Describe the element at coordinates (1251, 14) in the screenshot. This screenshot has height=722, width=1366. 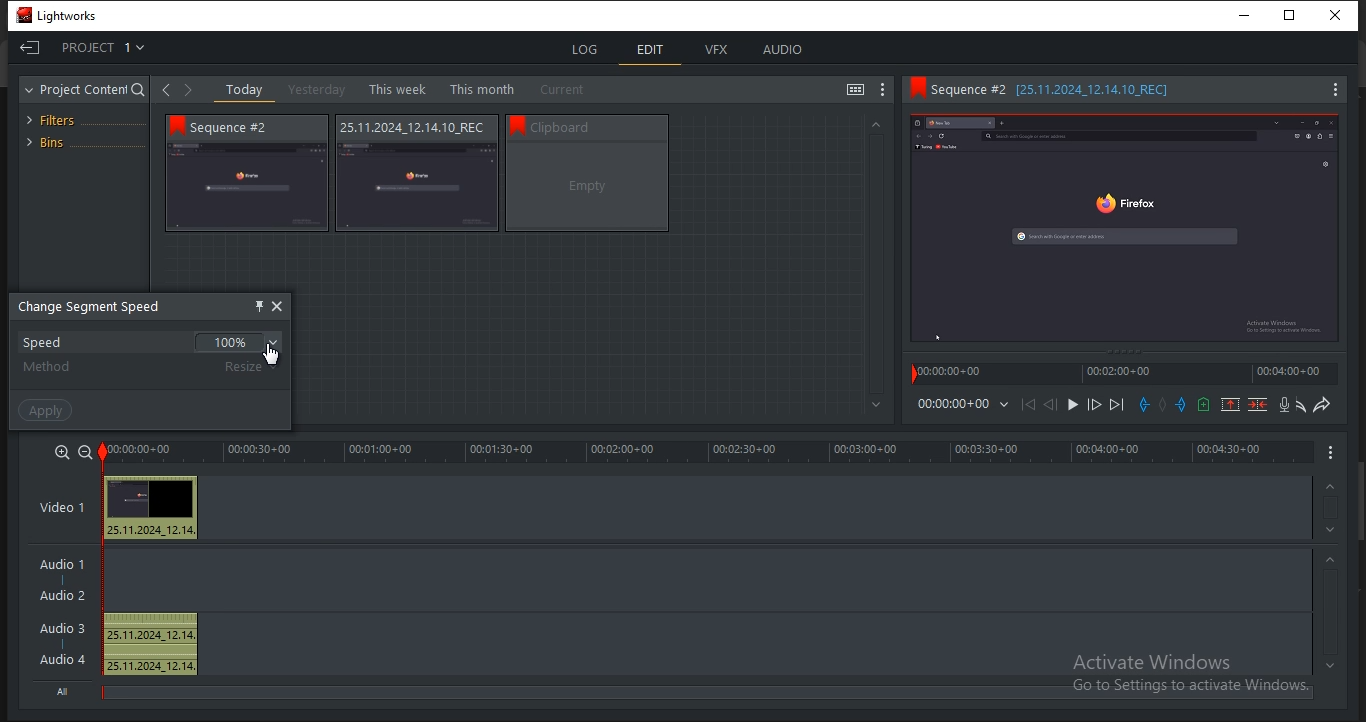
I see `minimize` at that location.